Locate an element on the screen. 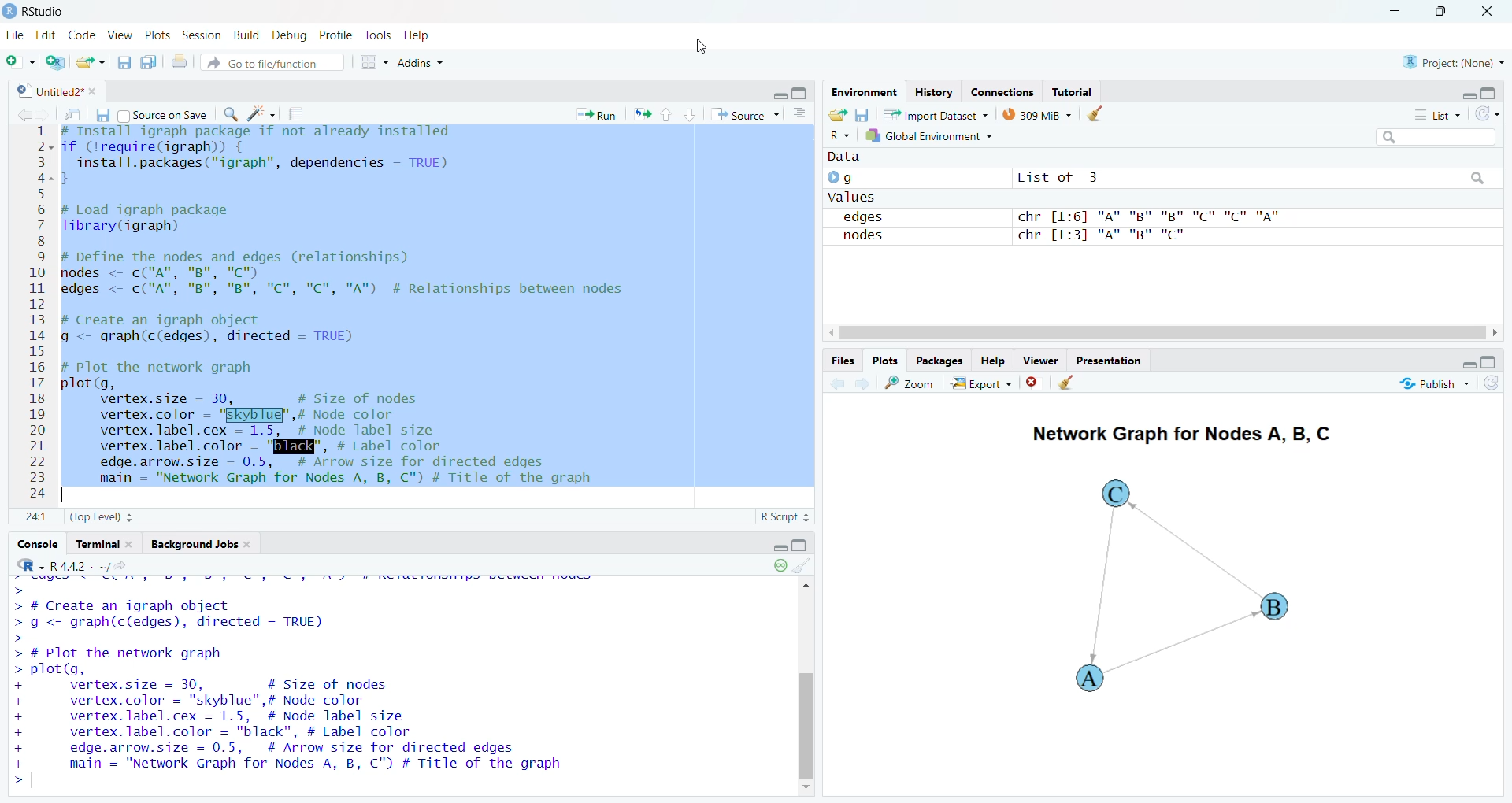  1:! is located at coordinates (27, 519).